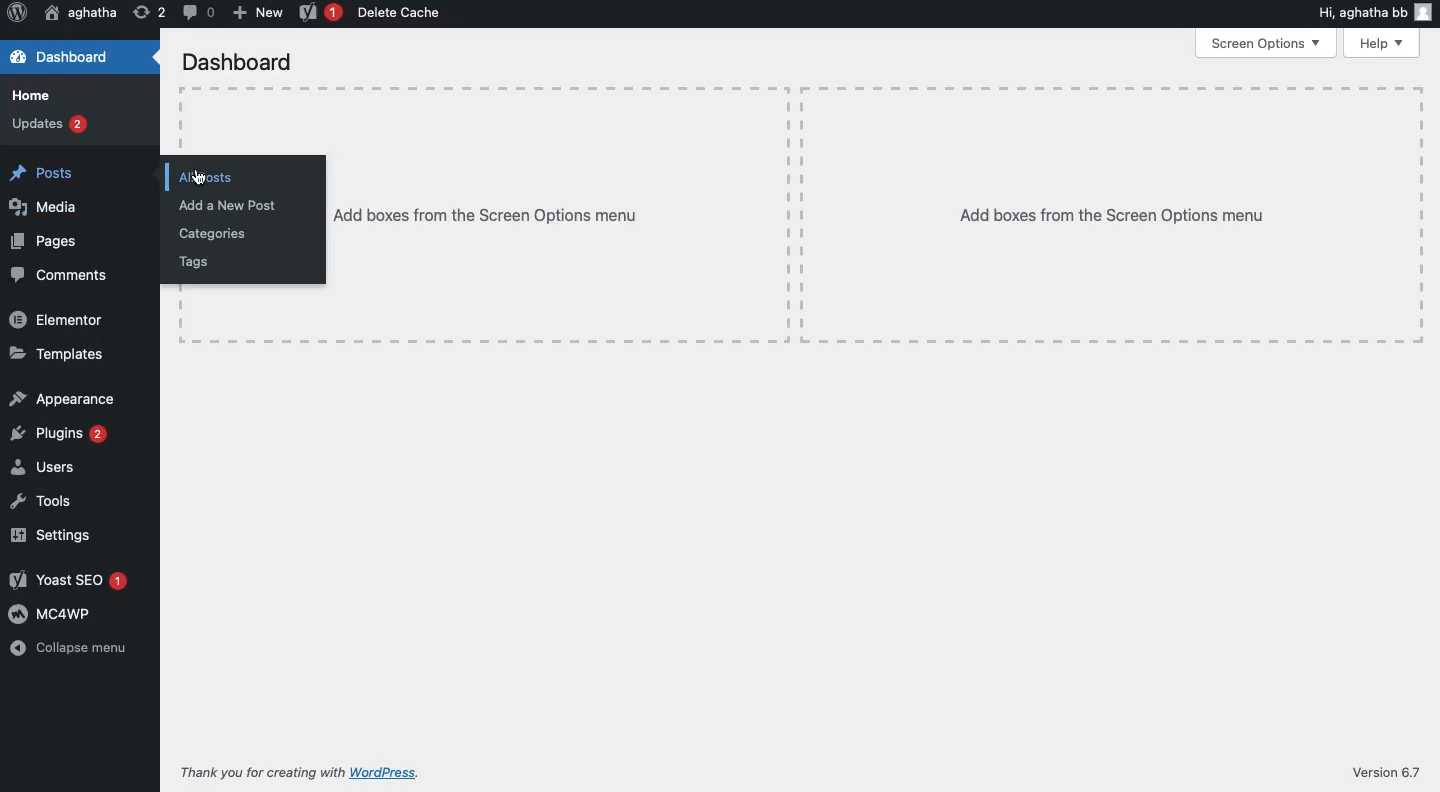  Describe the element at coordinates (1359, 12) in the screenshot. I see `Hi, aghatha bb` at that location.